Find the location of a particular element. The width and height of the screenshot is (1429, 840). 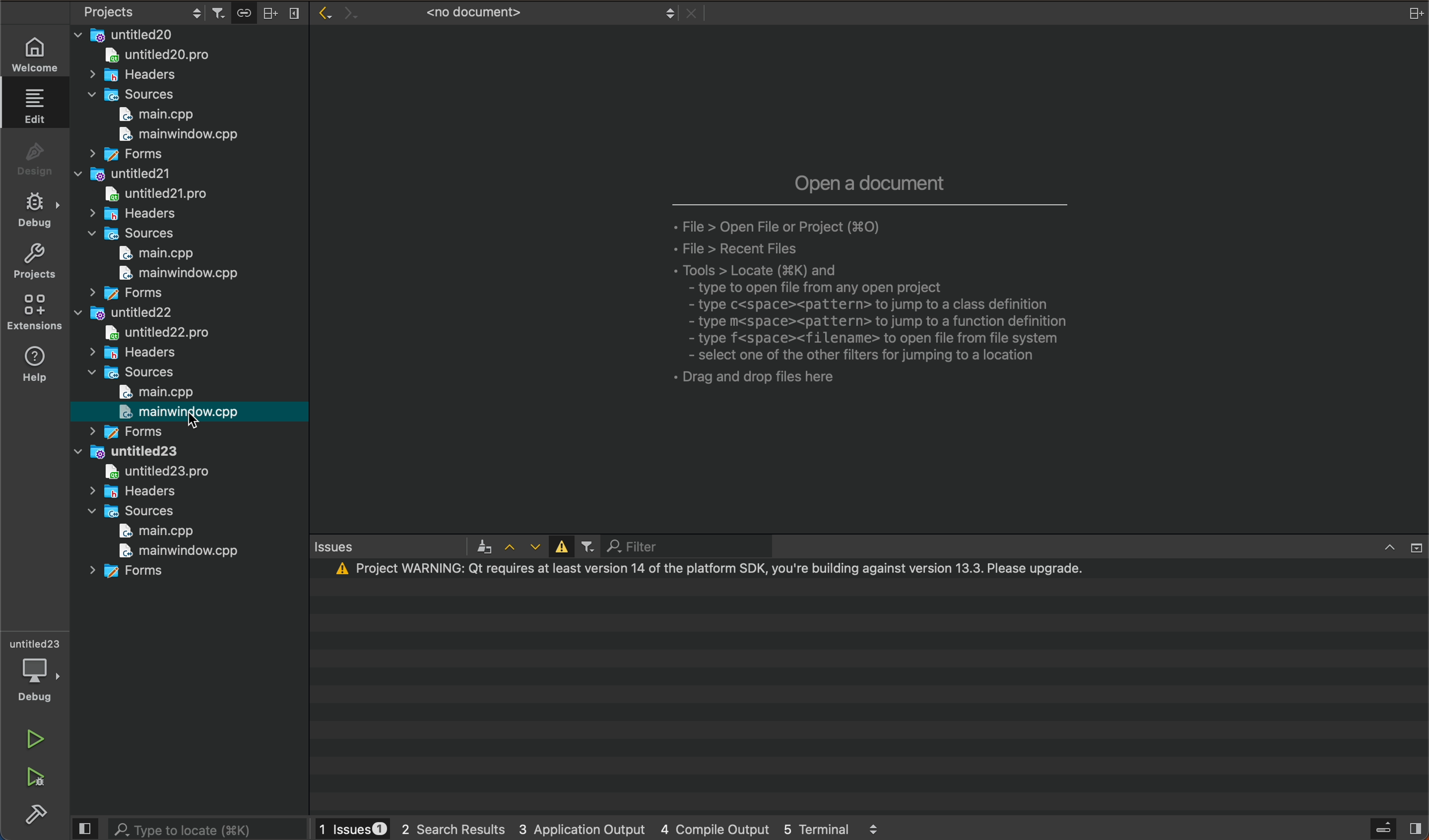

filter is located at coordinates (664, 546).